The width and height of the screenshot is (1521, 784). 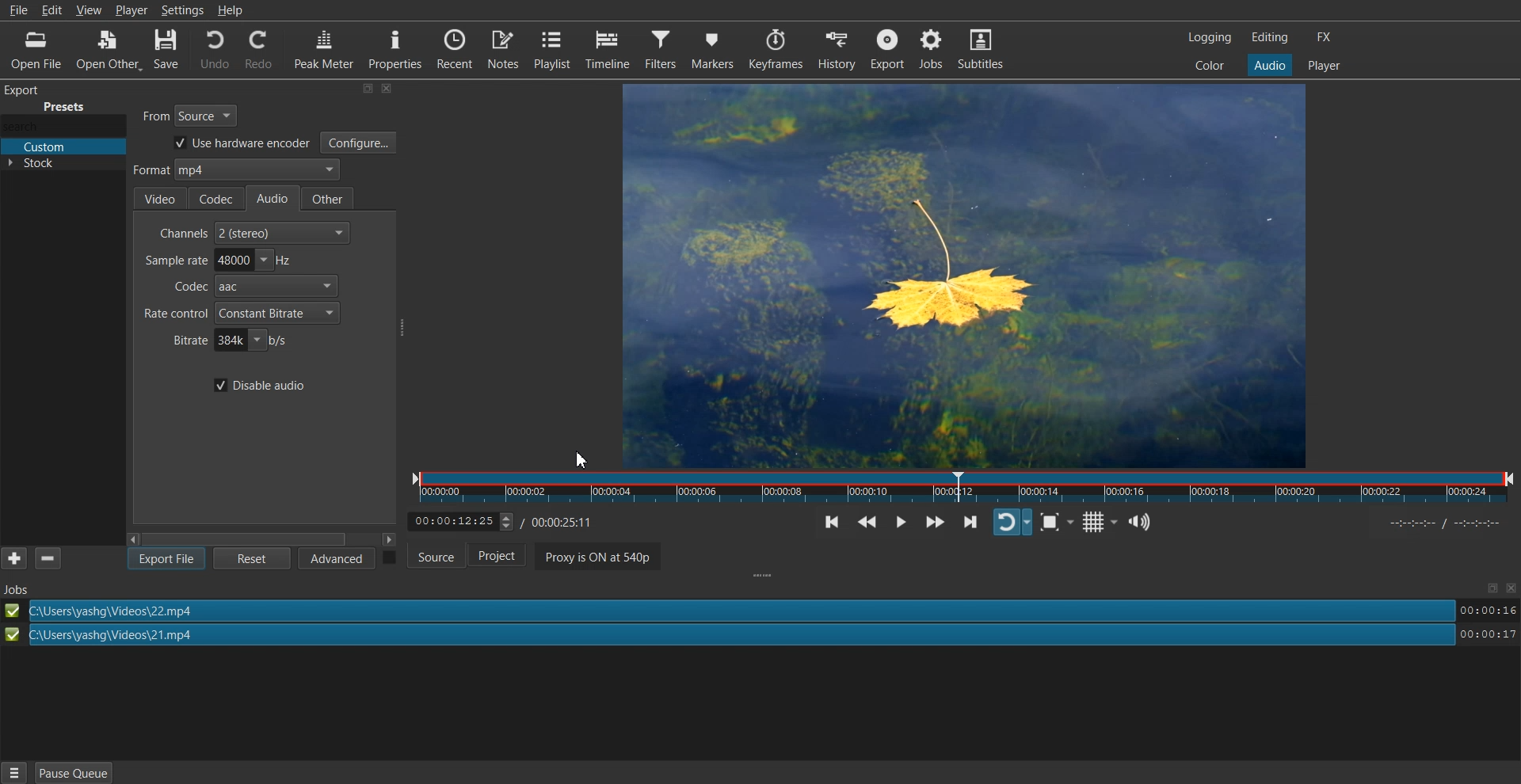 I want to click on Editing, so click(x=1270, y=36).